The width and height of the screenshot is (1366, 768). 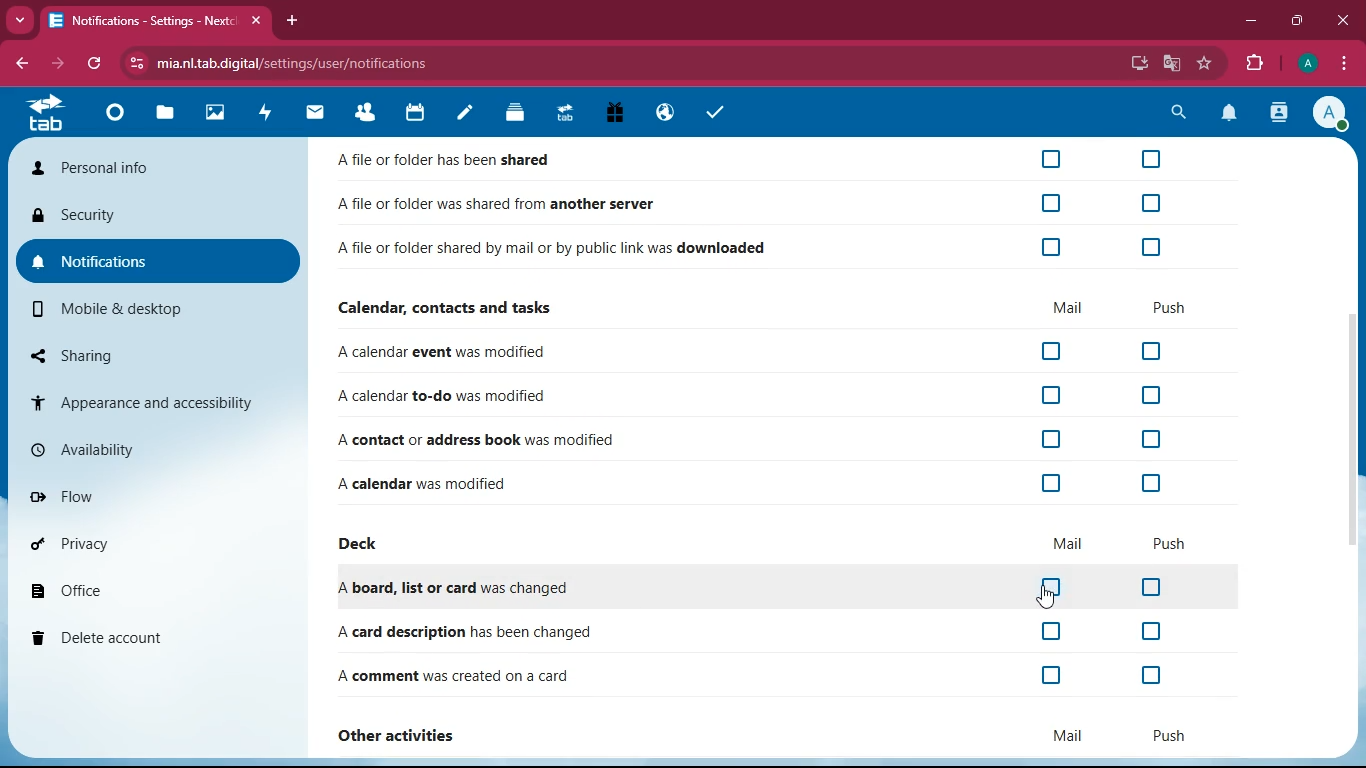 What do you see at coordinates (1065, 736) in the screenshot?
I see `mail` at bounding box center [1065, 736].